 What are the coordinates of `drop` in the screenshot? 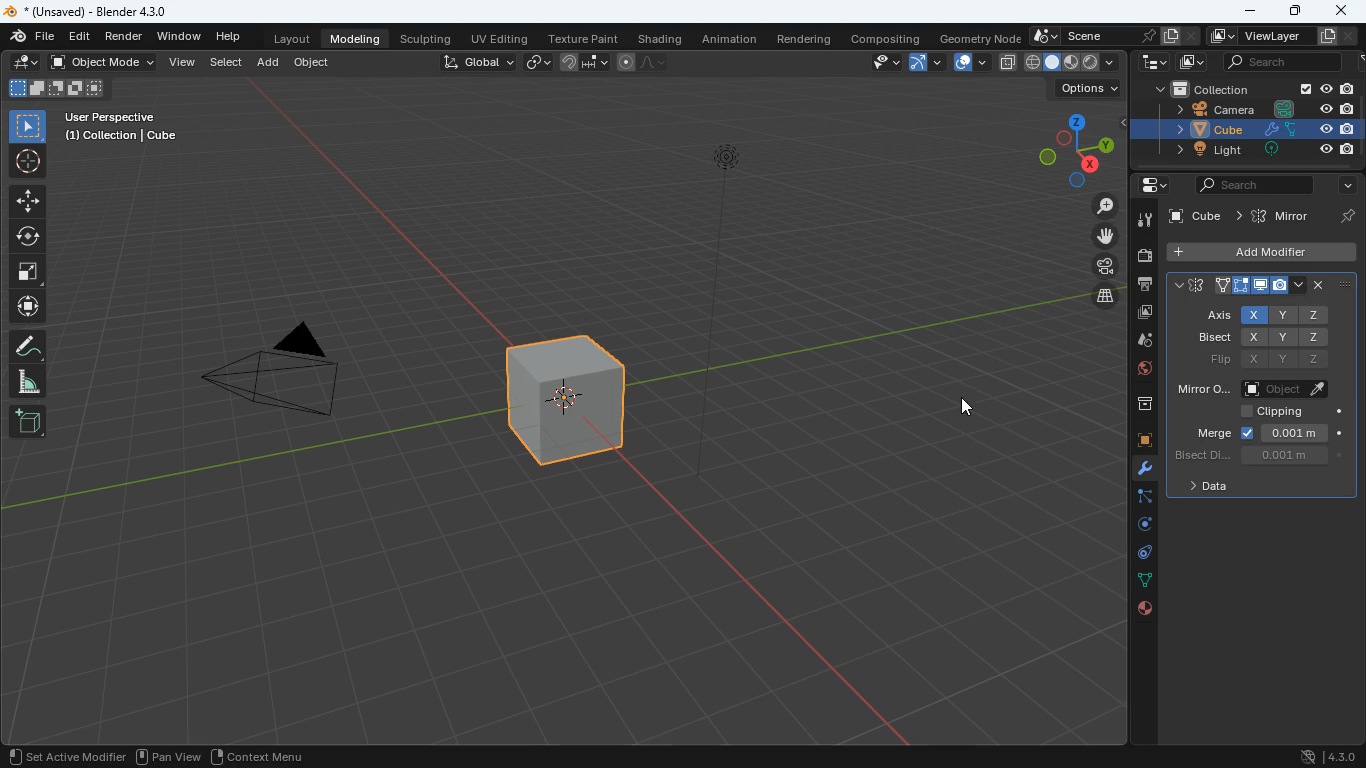 It's located at (1137, 341).